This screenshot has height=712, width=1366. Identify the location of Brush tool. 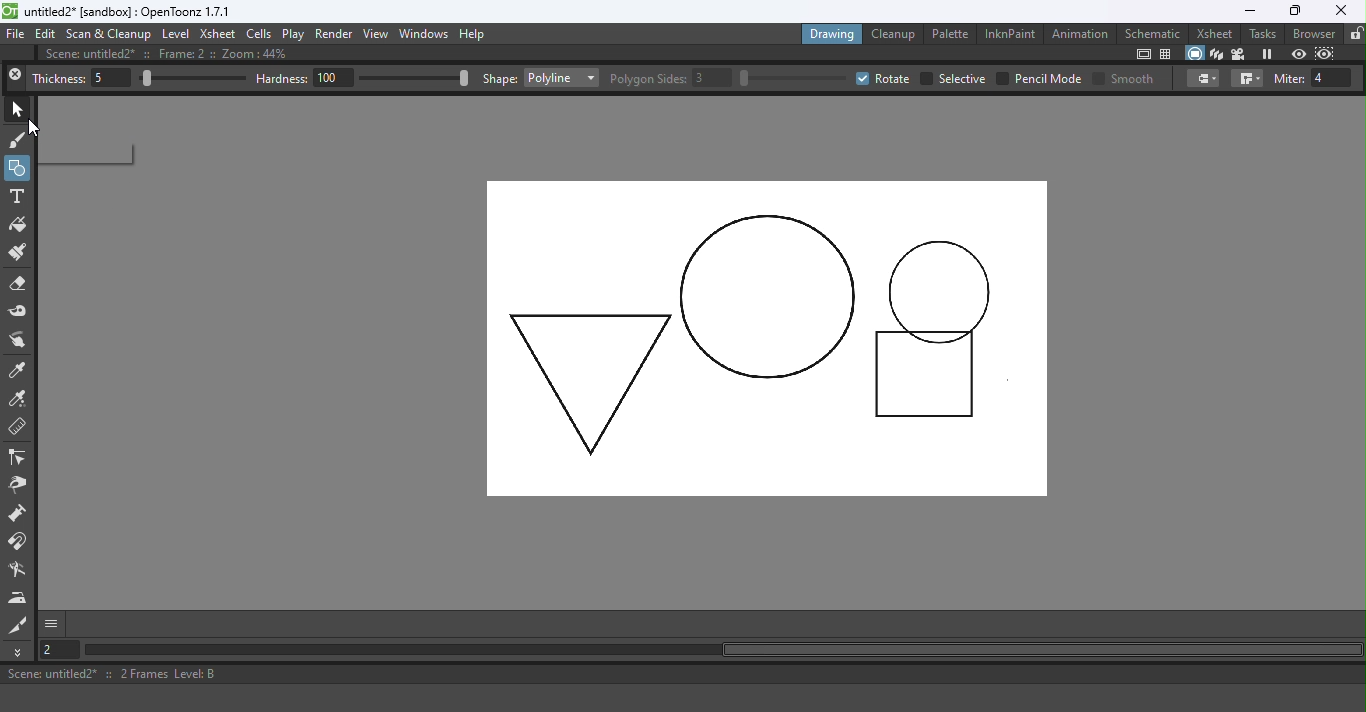
(18, 141).